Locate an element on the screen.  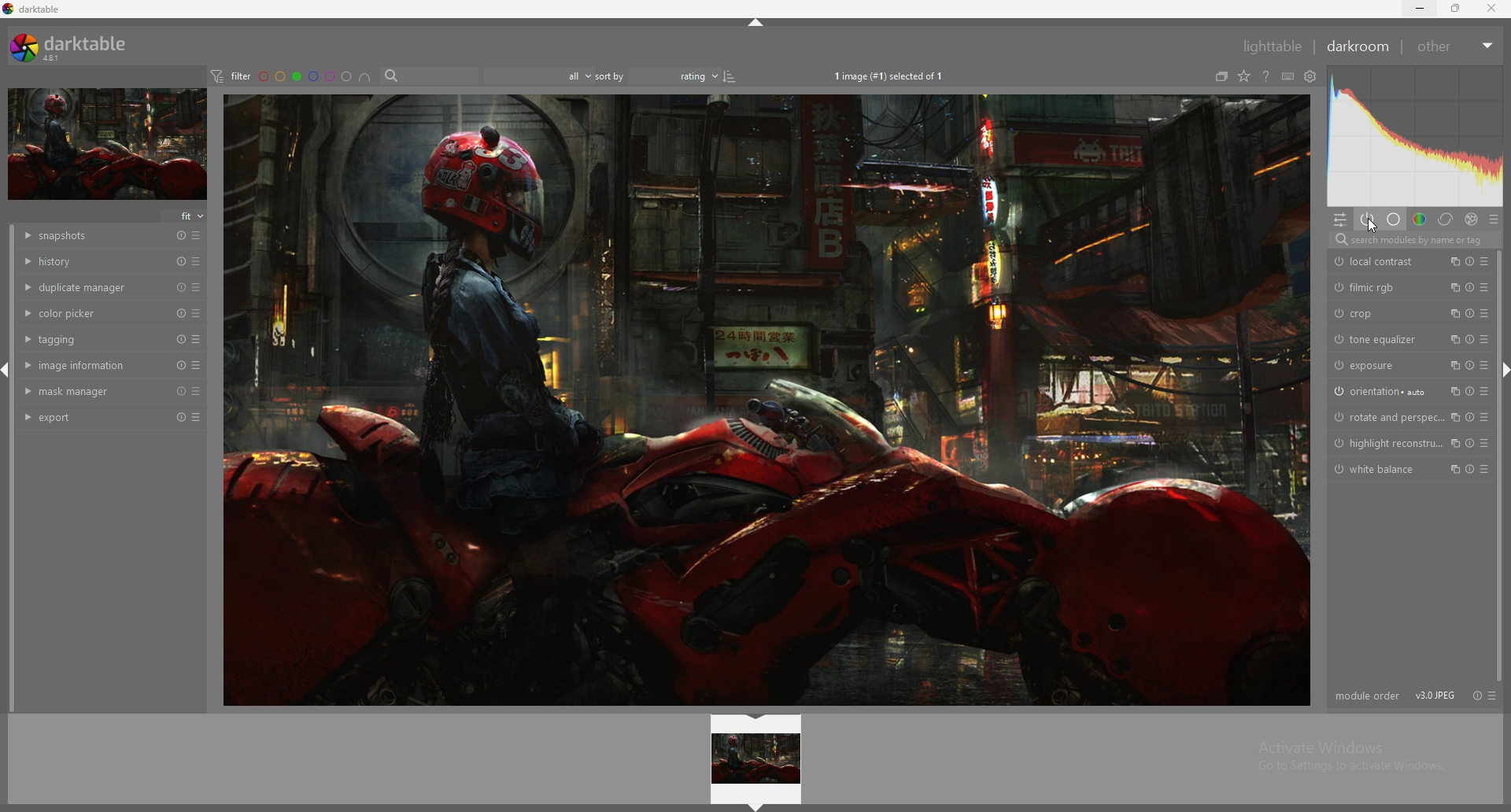
reset is located at coordinates (1468, 391).